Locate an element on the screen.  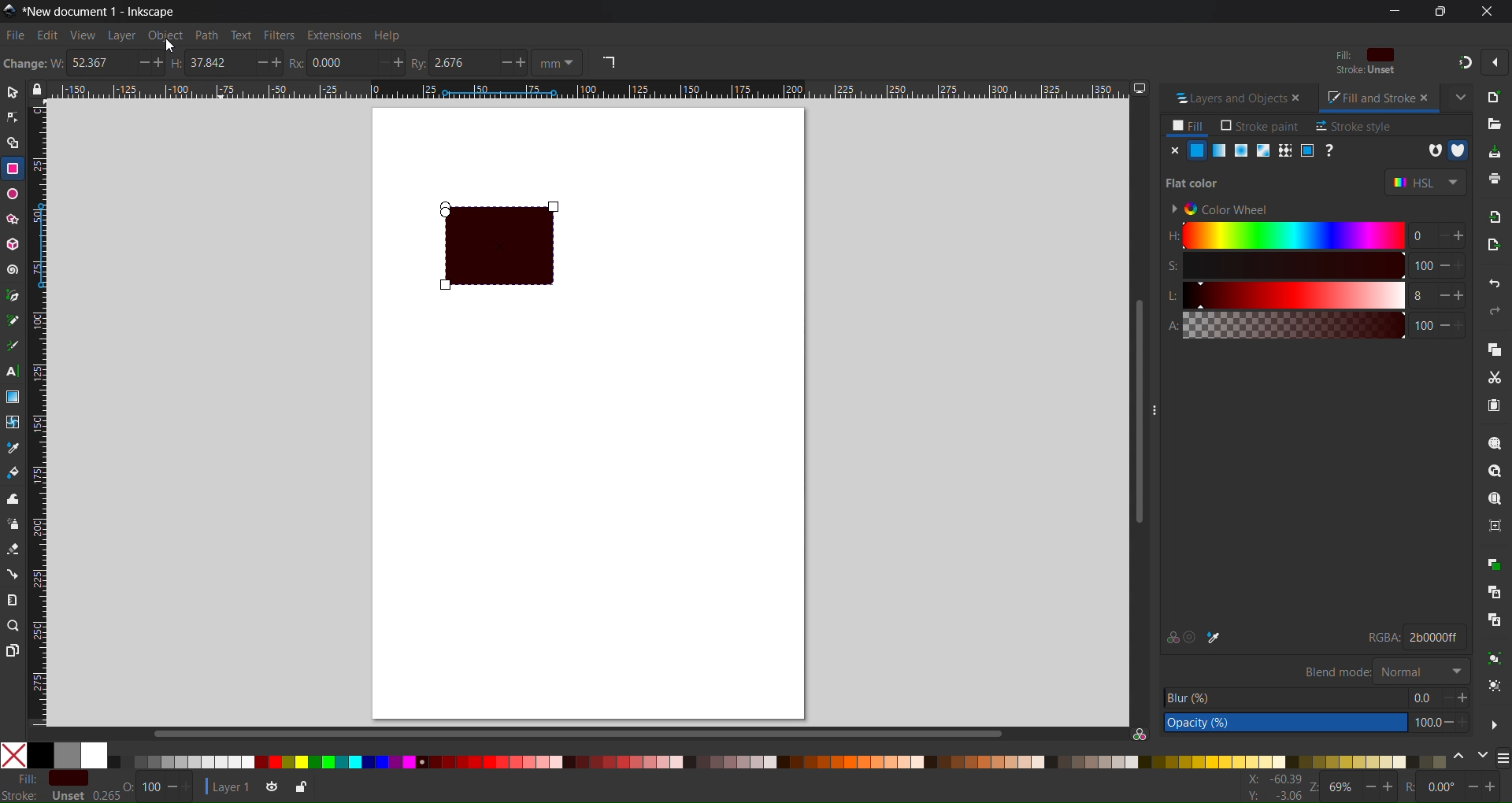
mm  is located at coordinates (560, 63).